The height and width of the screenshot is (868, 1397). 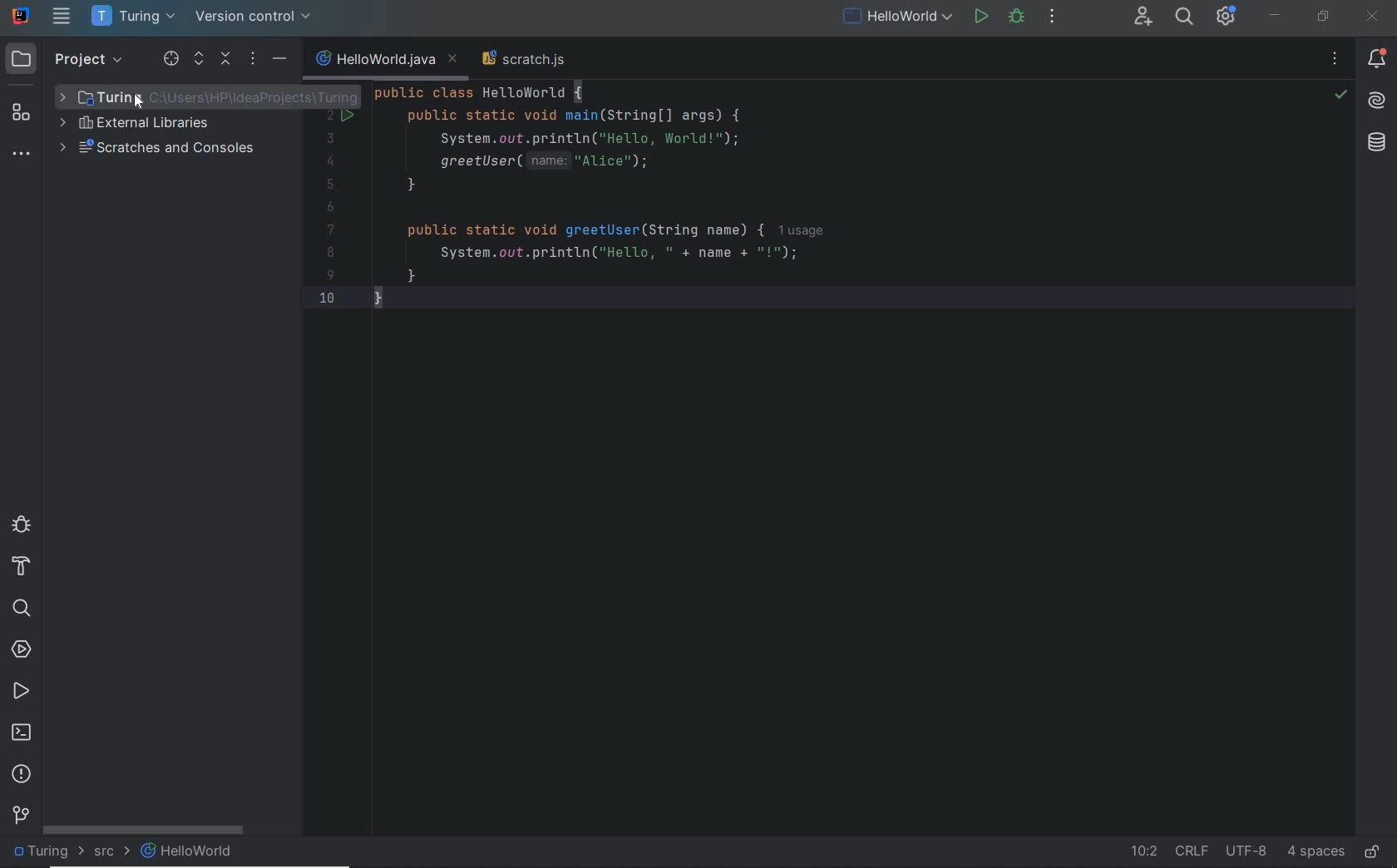 I want to click on IDE & Project settings, so click(x=1231, y=17).